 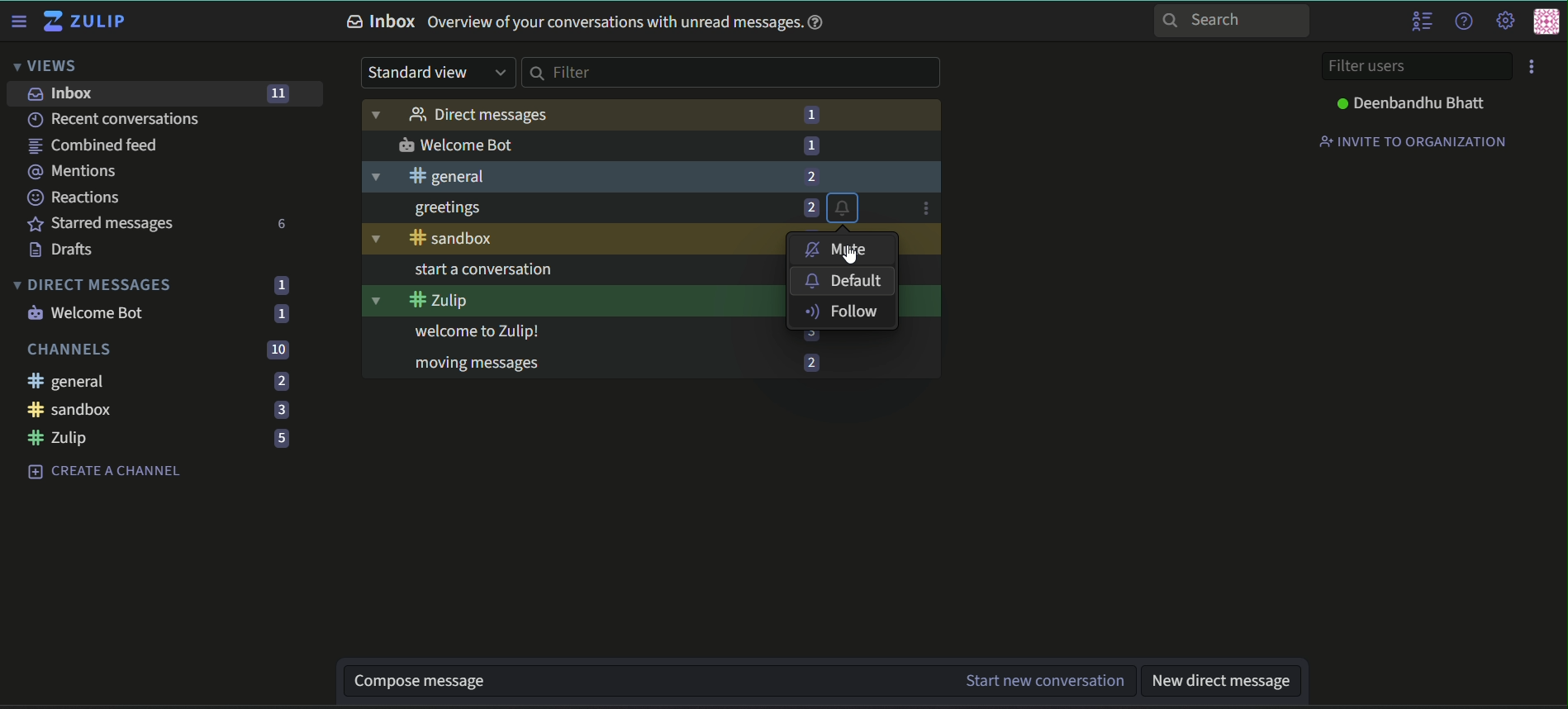 What do you see at coordinates (69, 381) in the screenshot?
I see `General` at bounding box center [69, 381].